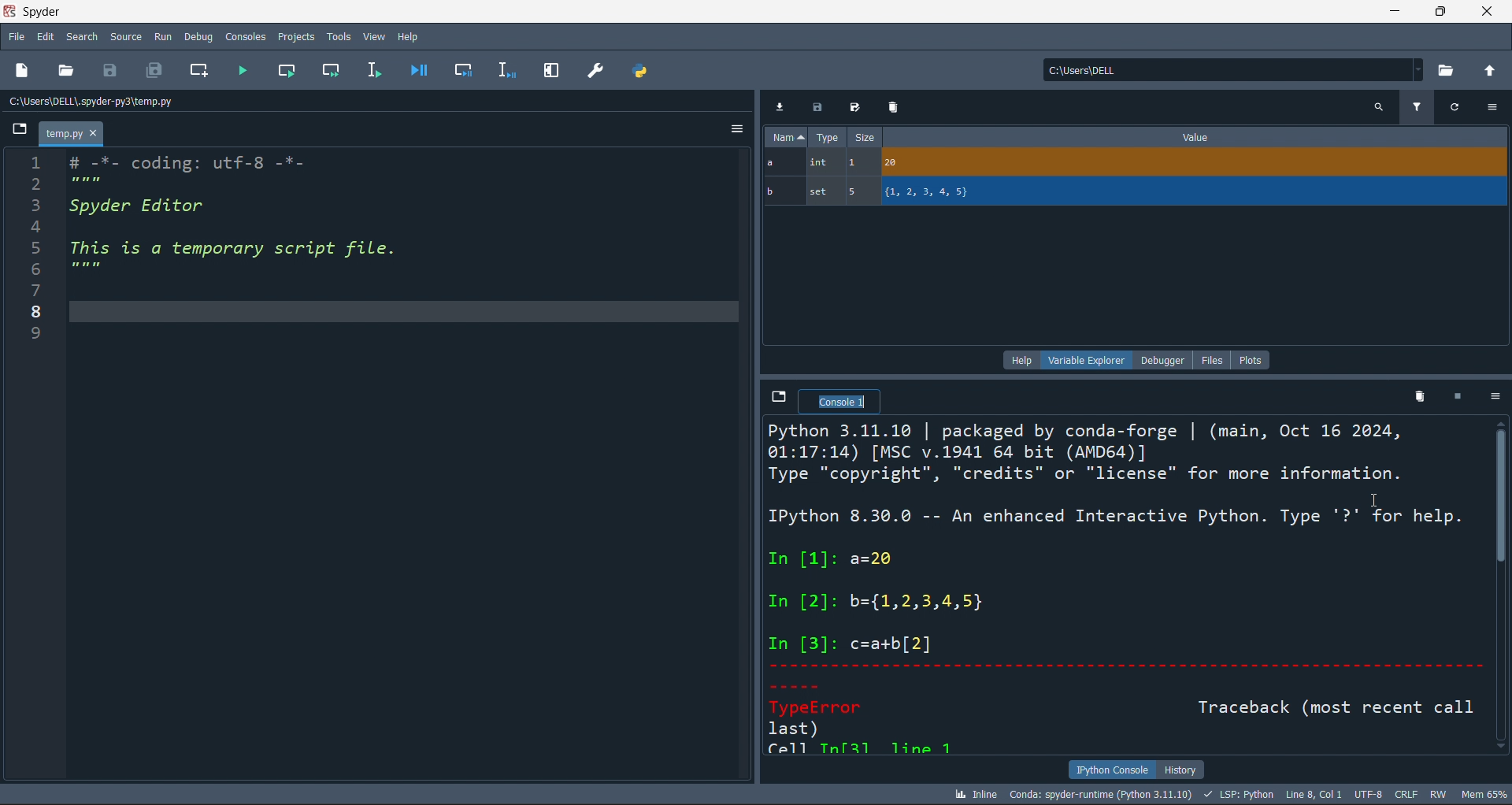  Describe the element at coordinates (735, 132) in the screenshot. I see `options` at that location.